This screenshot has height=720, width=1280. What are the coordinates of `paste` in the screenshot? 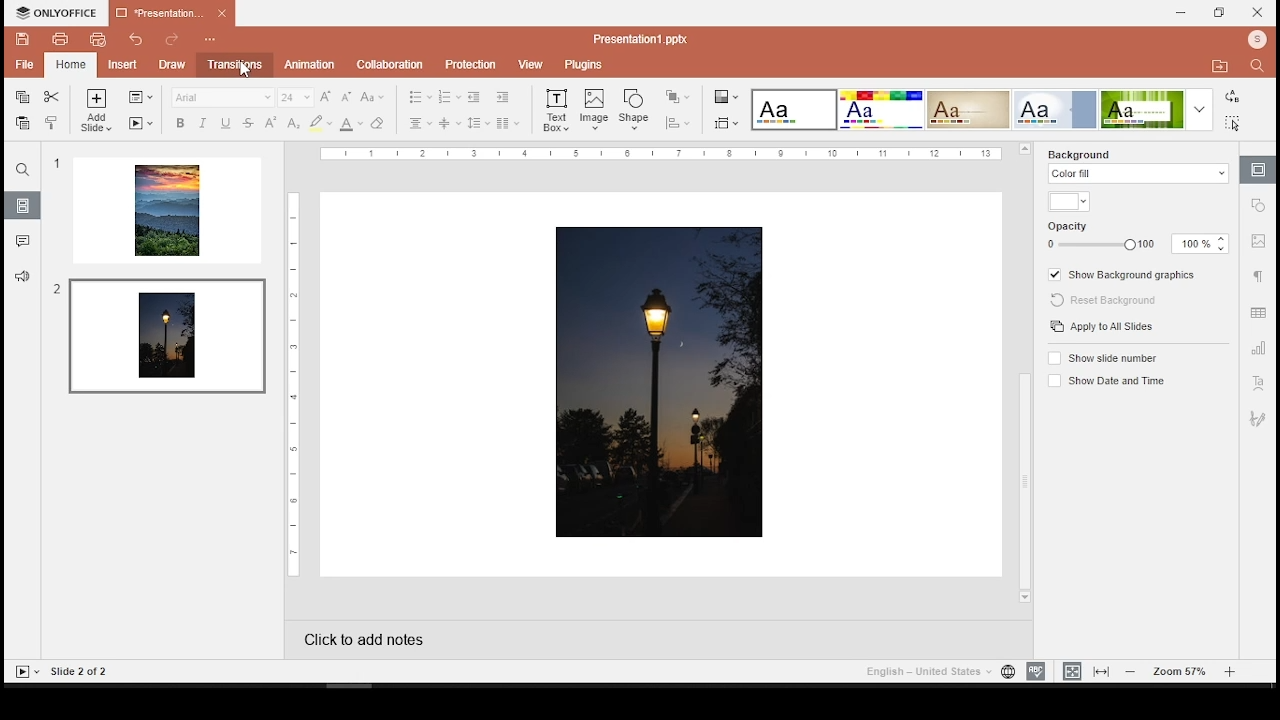 It's located at (23, 123).